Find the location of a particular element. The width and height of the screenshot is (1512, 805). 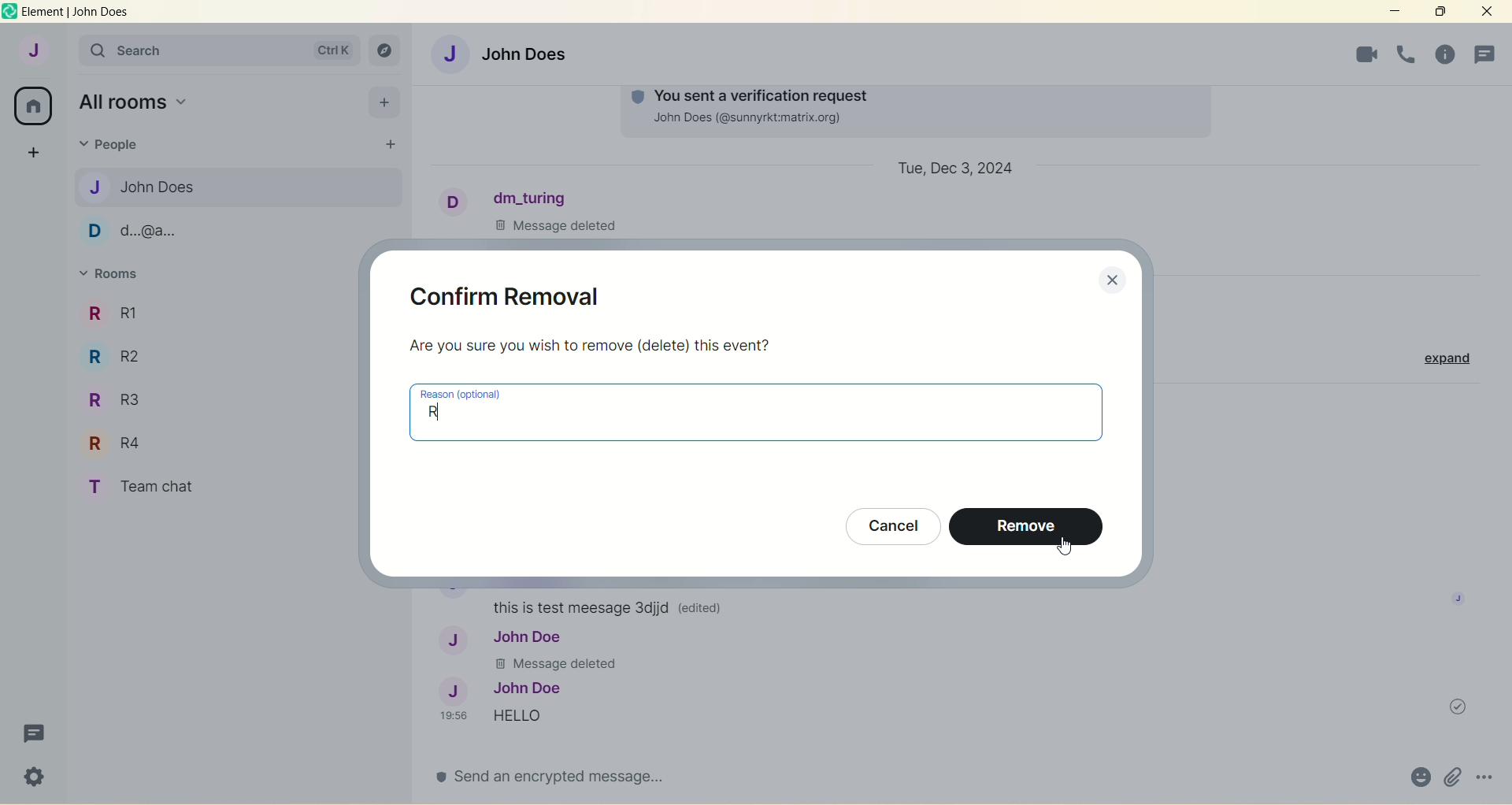

expand is located at coordinates (1440, 358).